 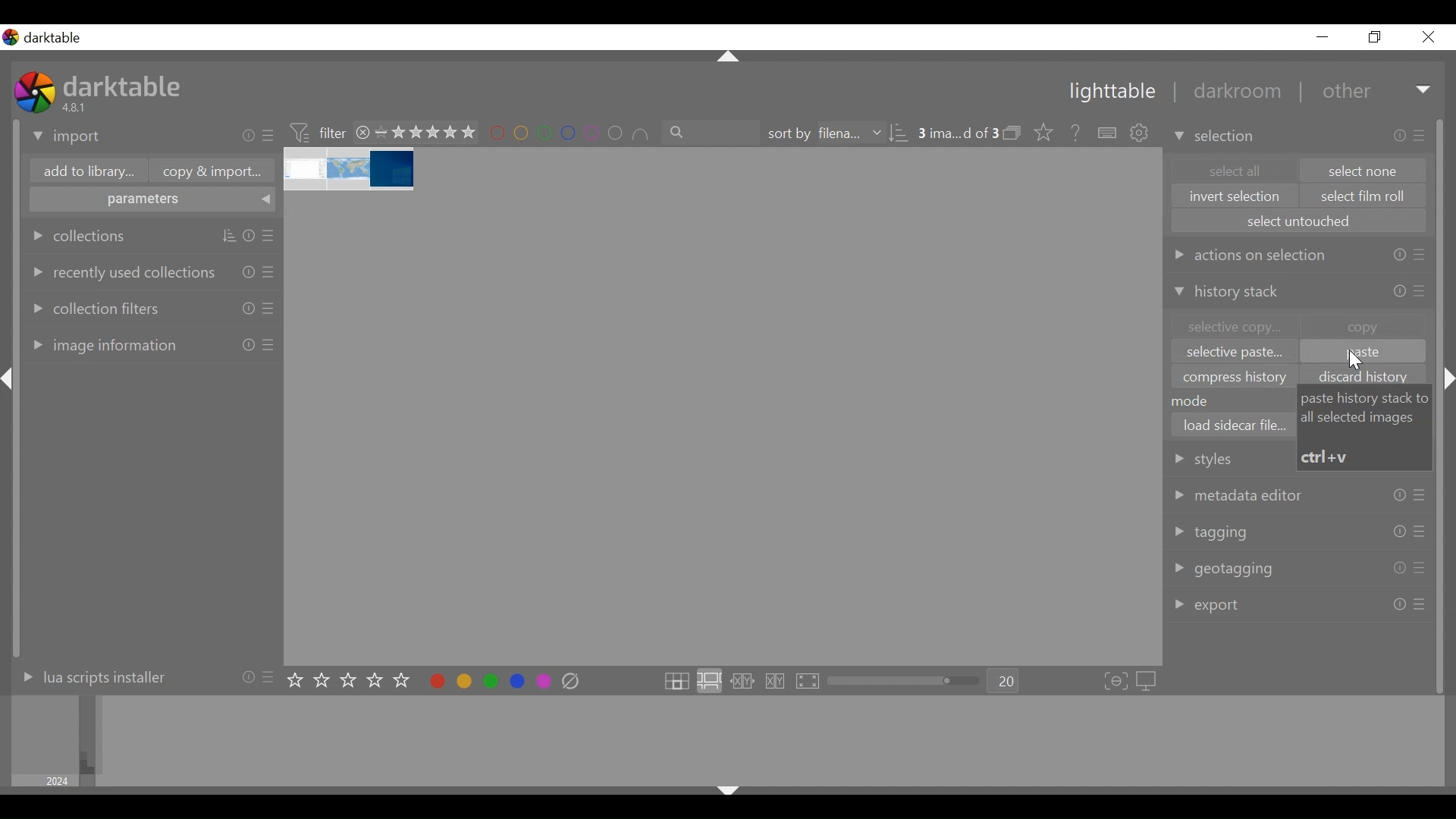 I want to click on filter, so click(x=317, y=131).